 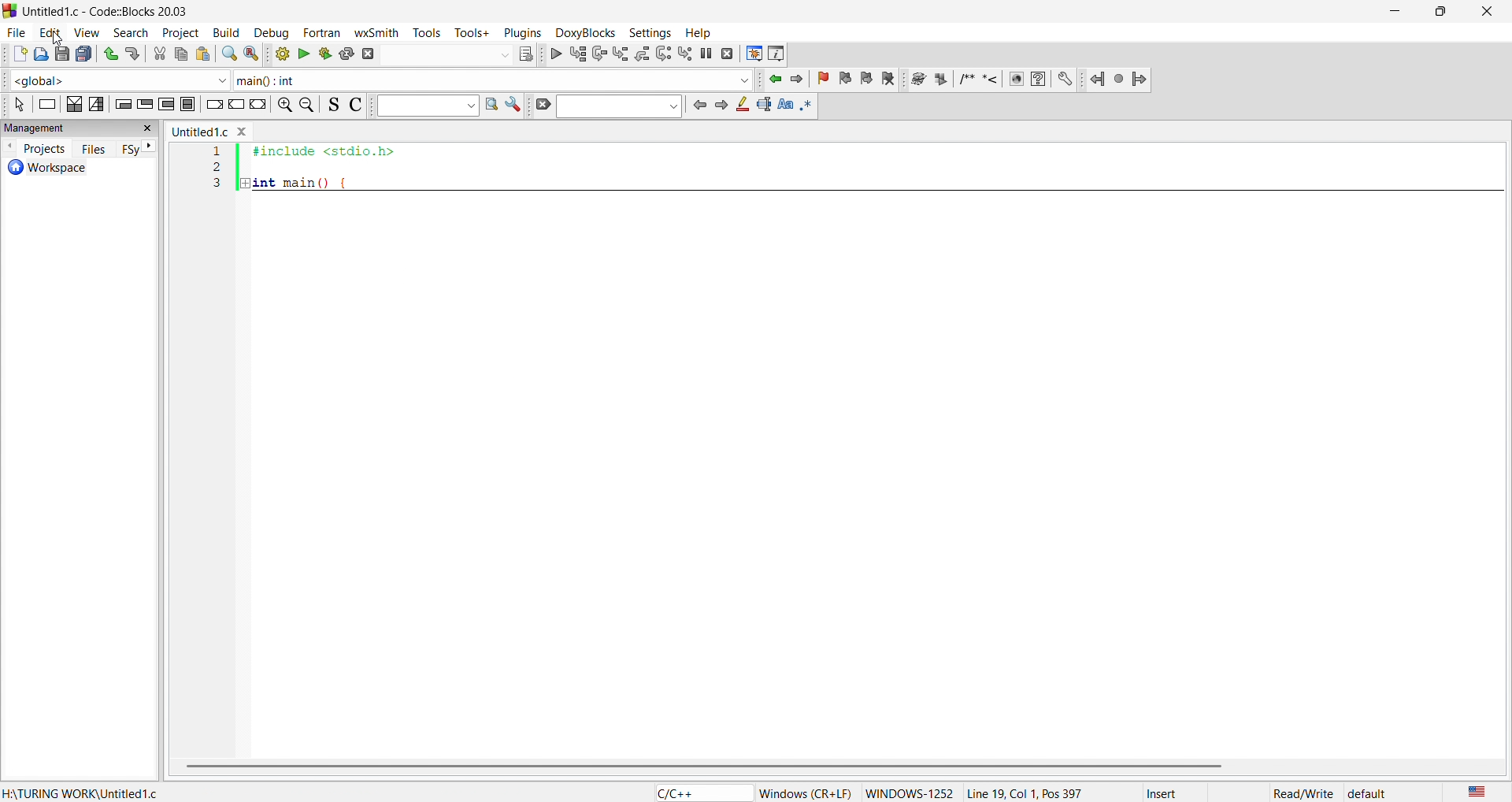 What do you see at coordinates (352, 104) in the screenshot?
I see `toggle comments` at bounding box center [352, 104].